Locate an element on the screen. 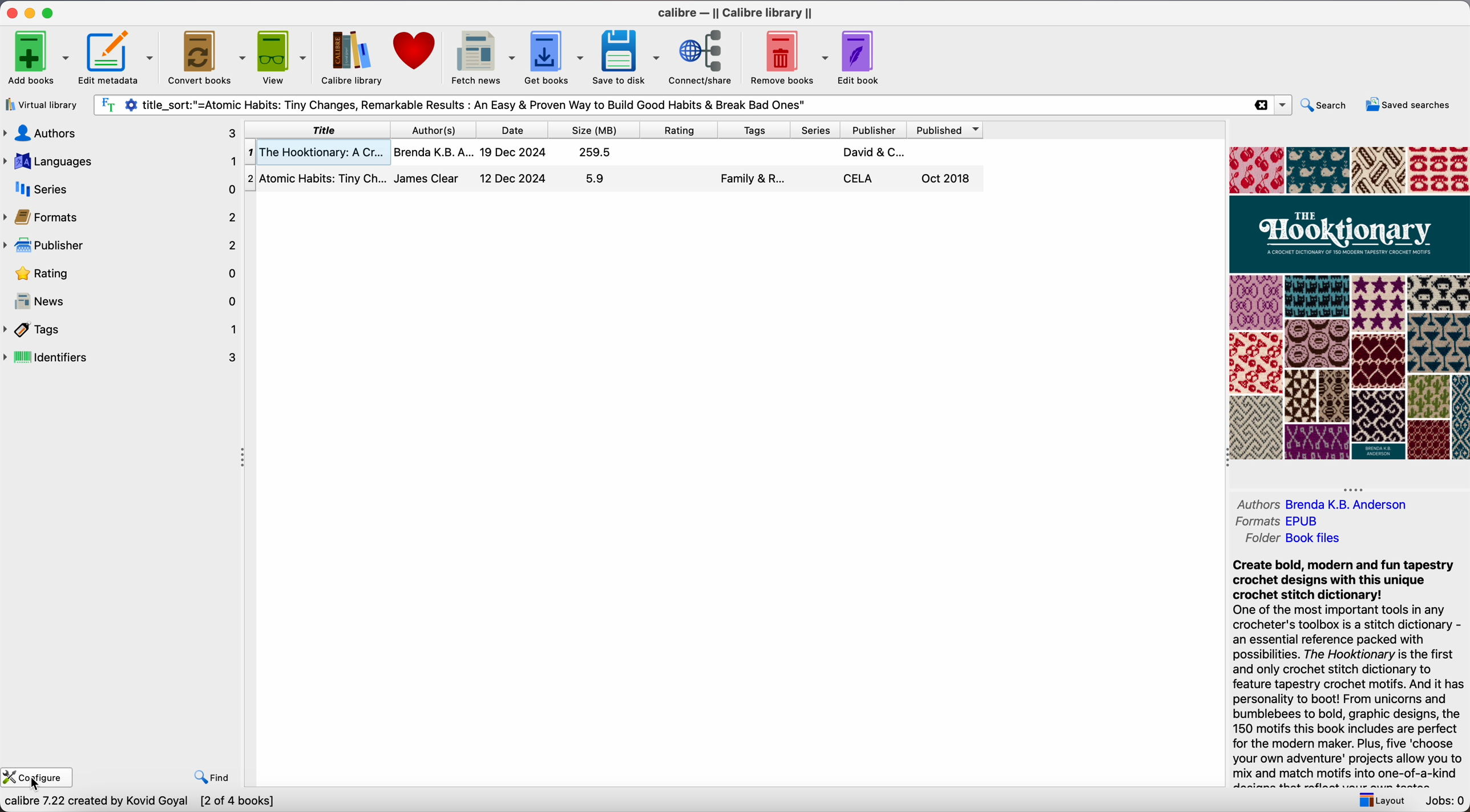 This screenshot has width=1470, height=812. Folder is located at coordinates (1261, 539).